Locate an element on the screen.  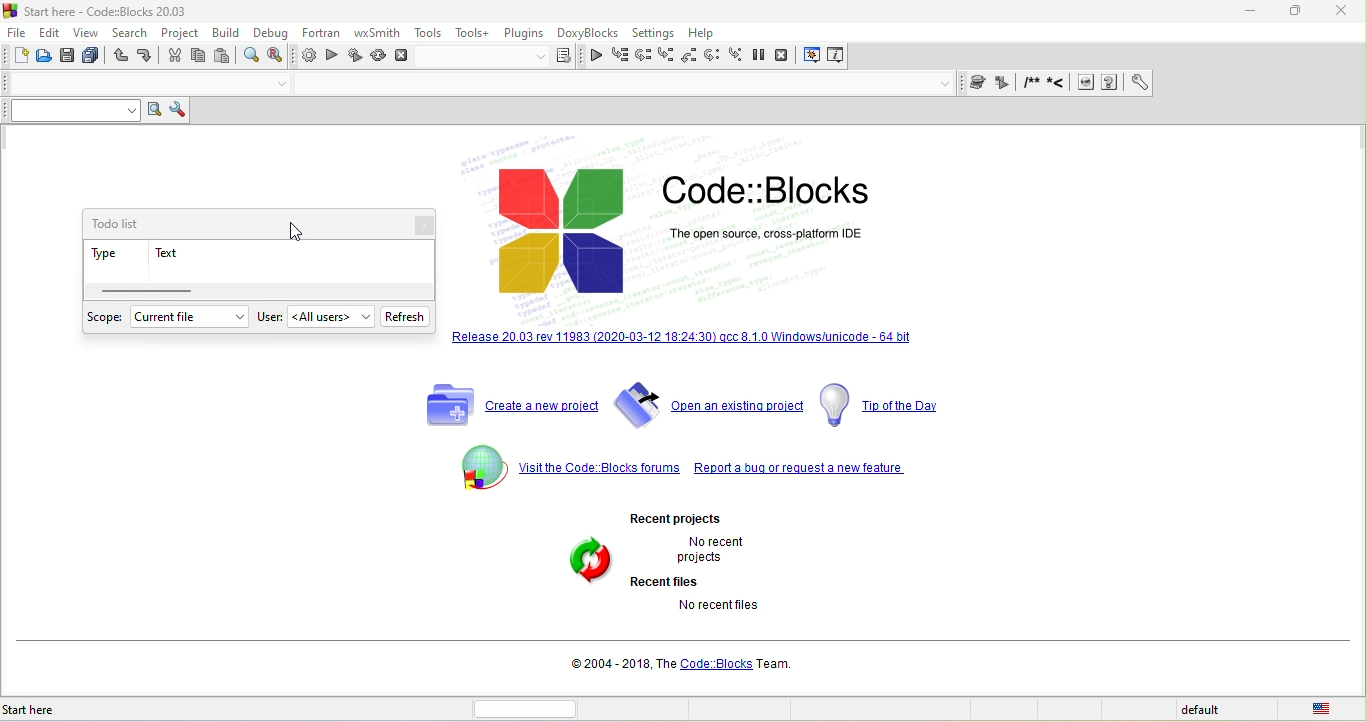
rebuild  is located at coordinates (380, 57).